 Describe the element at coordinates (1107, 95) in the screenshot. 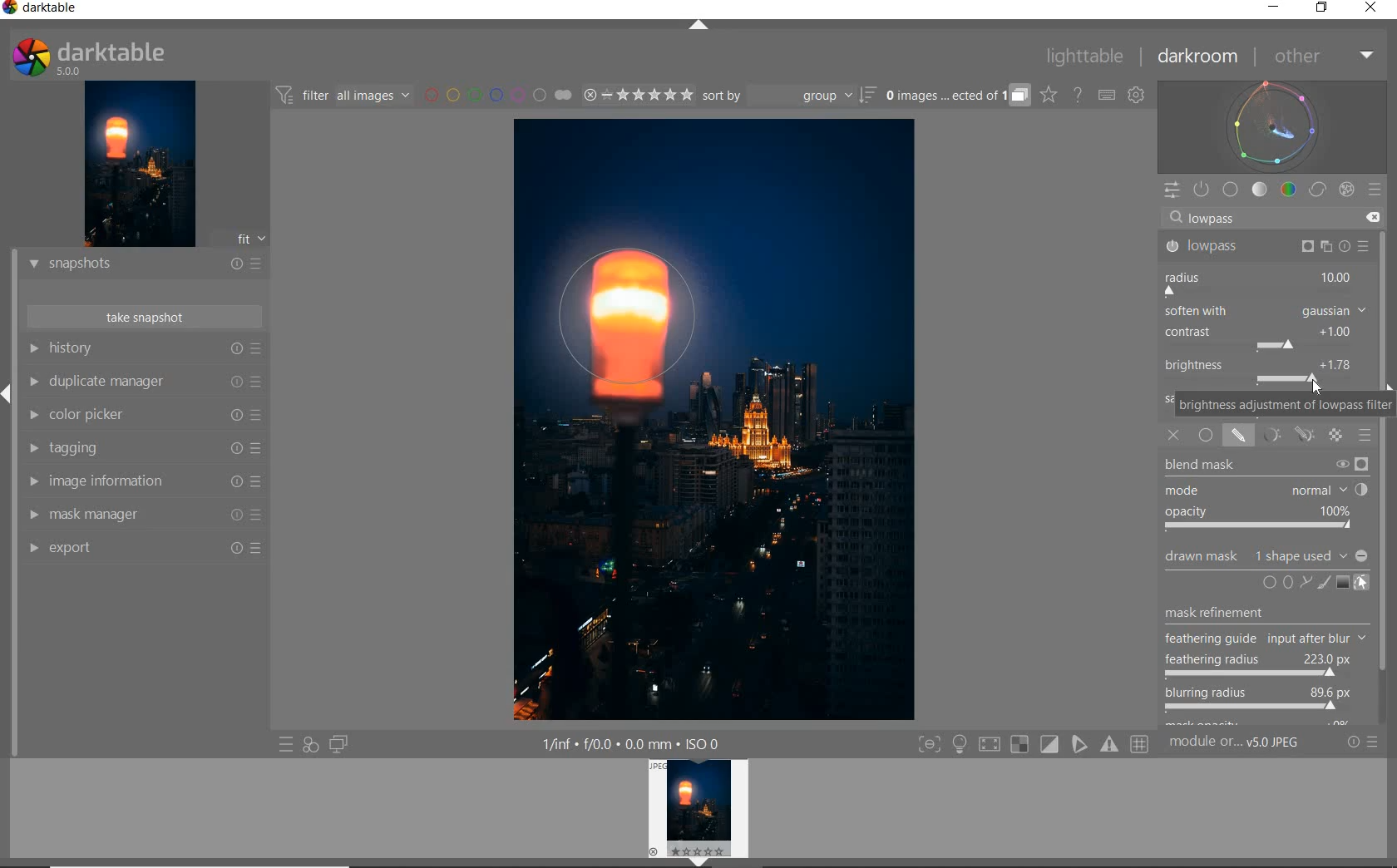

I see `SET KEYBOARD SHORTCUTS` at that location.